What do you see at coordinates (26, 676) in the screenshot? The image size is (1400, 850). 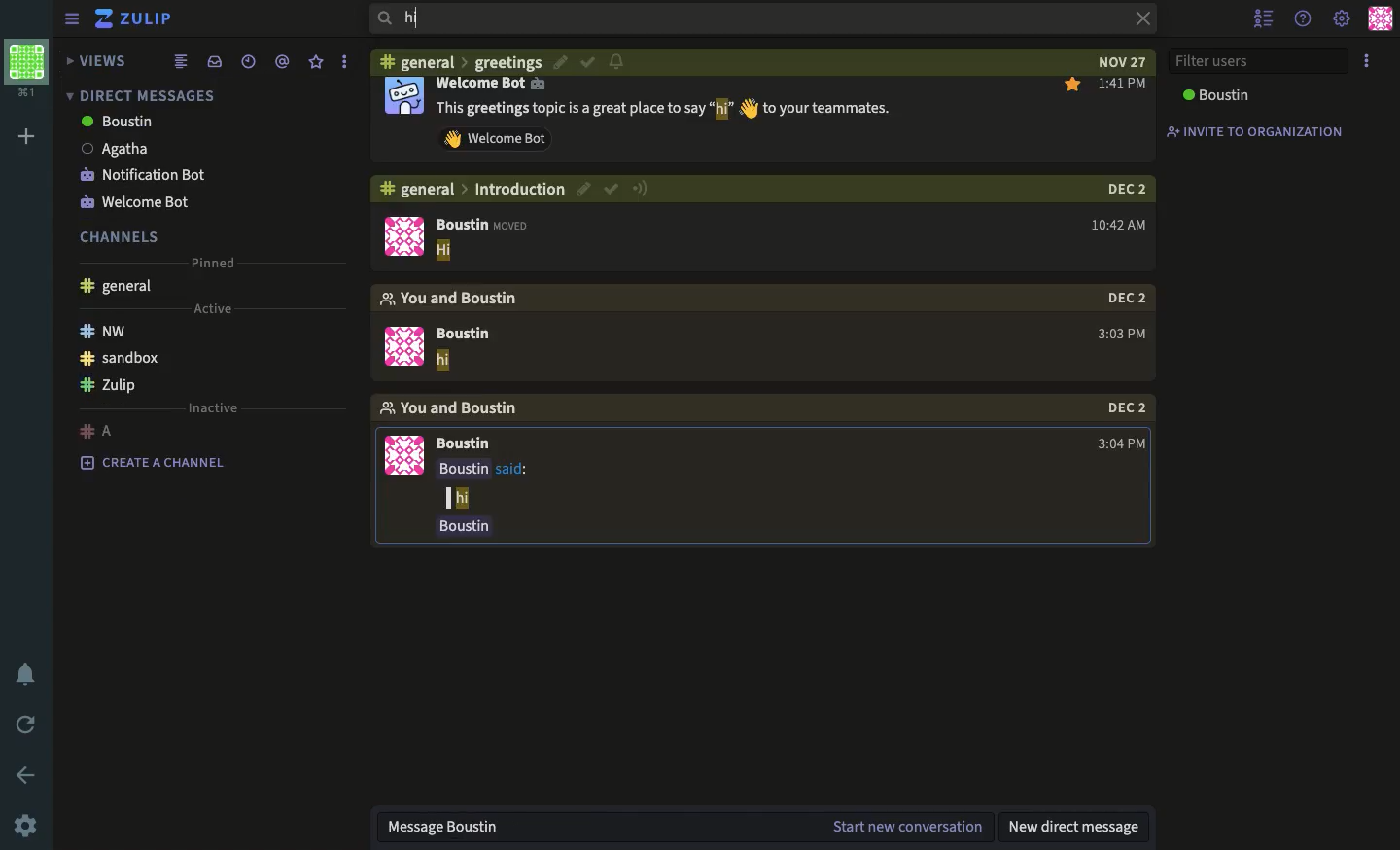 I see `notification` at bounding box center [26, 676].